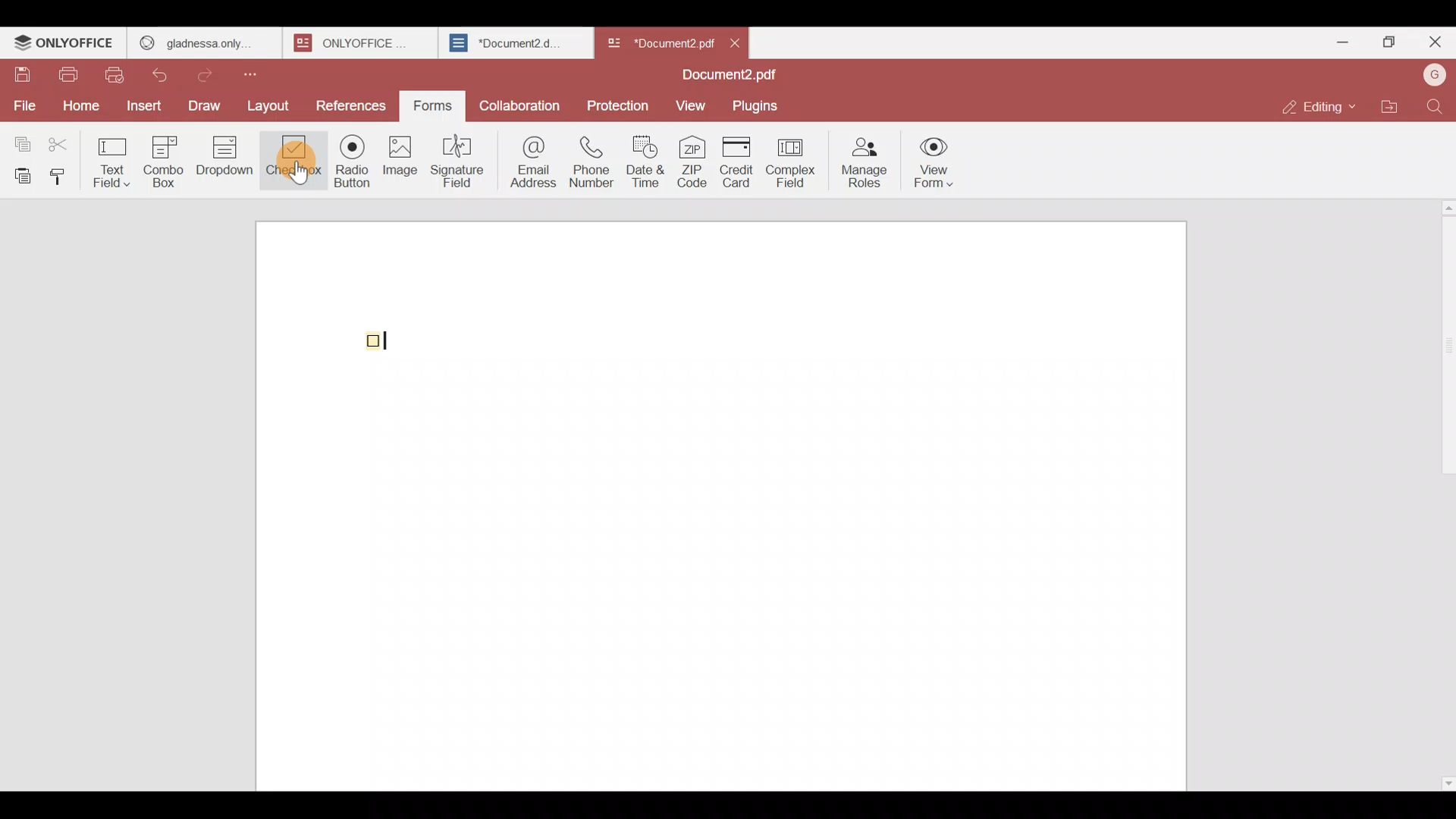 Image resolution: width=1456 pixels, height=819 pixels. What do you see at coordinates (71, 76) in the screenshot?
I see `Print file` at bounding box center [71, 76].